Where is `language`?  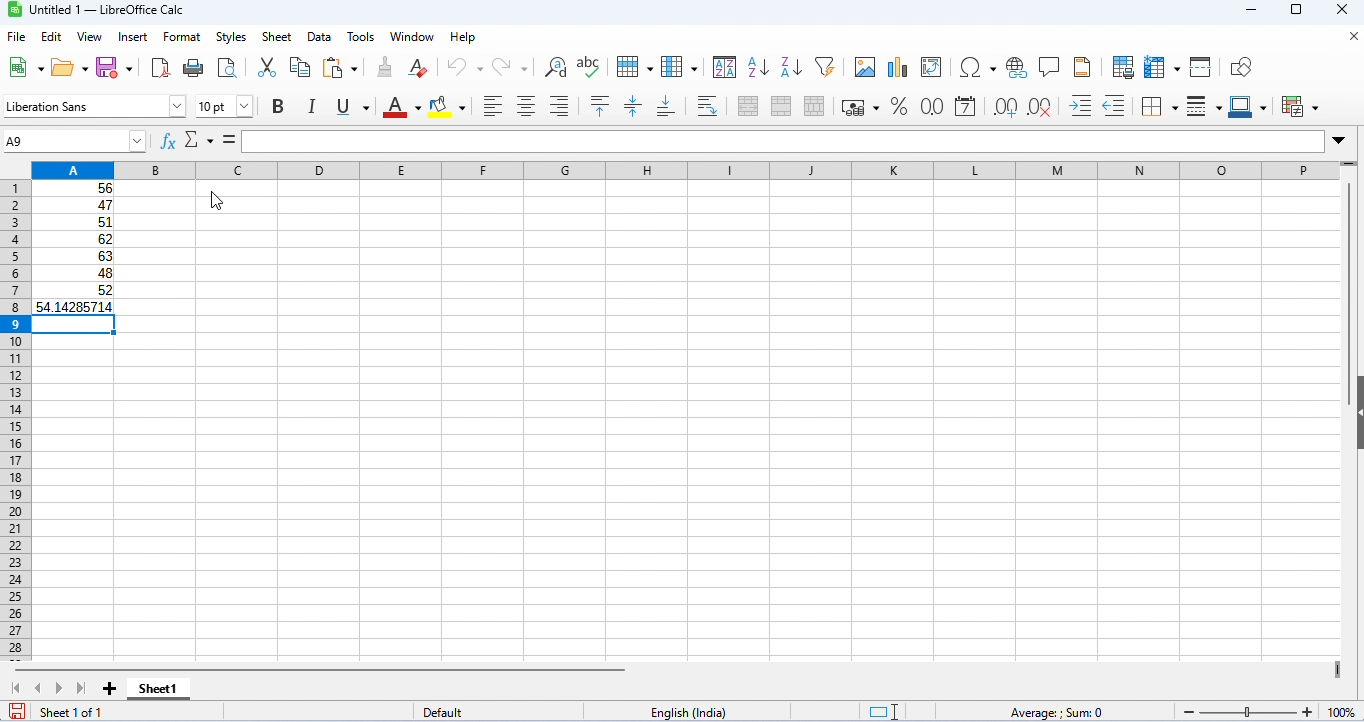 language is located at coordinates (691, 713).